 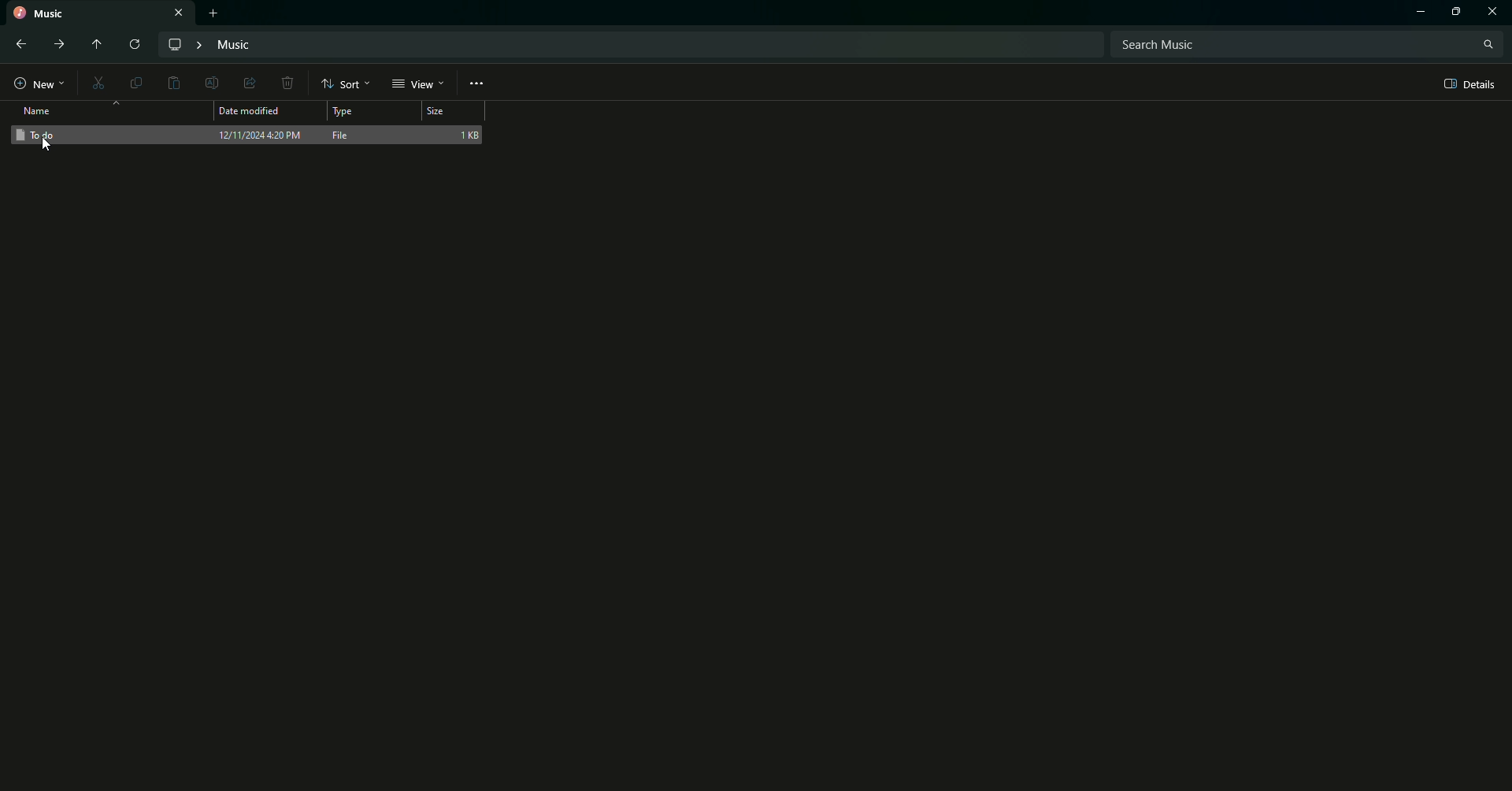 I want to click on Date and time, so click(x=258, y=137).